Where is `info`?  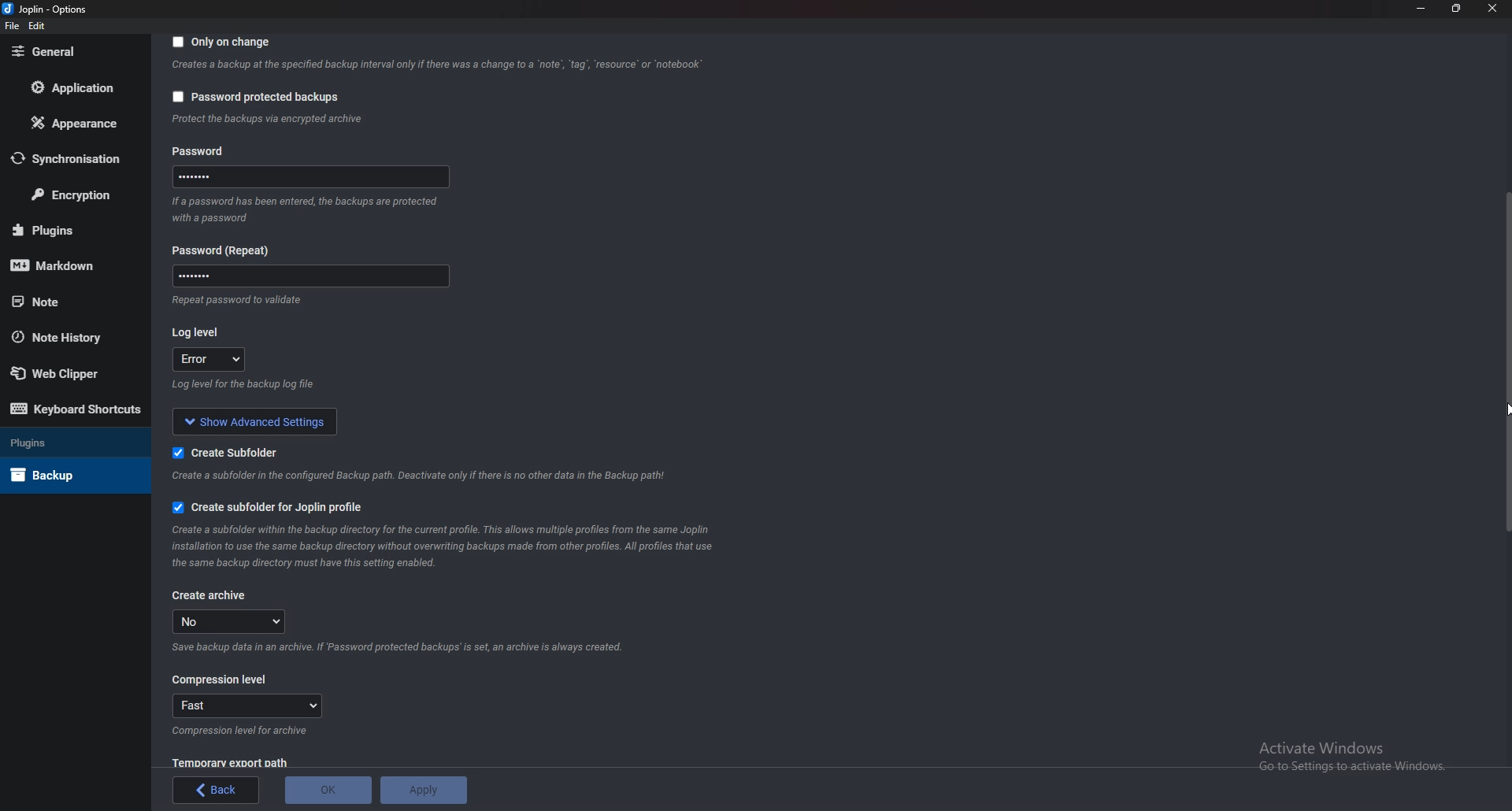
info is located at coordinates (267, 120).